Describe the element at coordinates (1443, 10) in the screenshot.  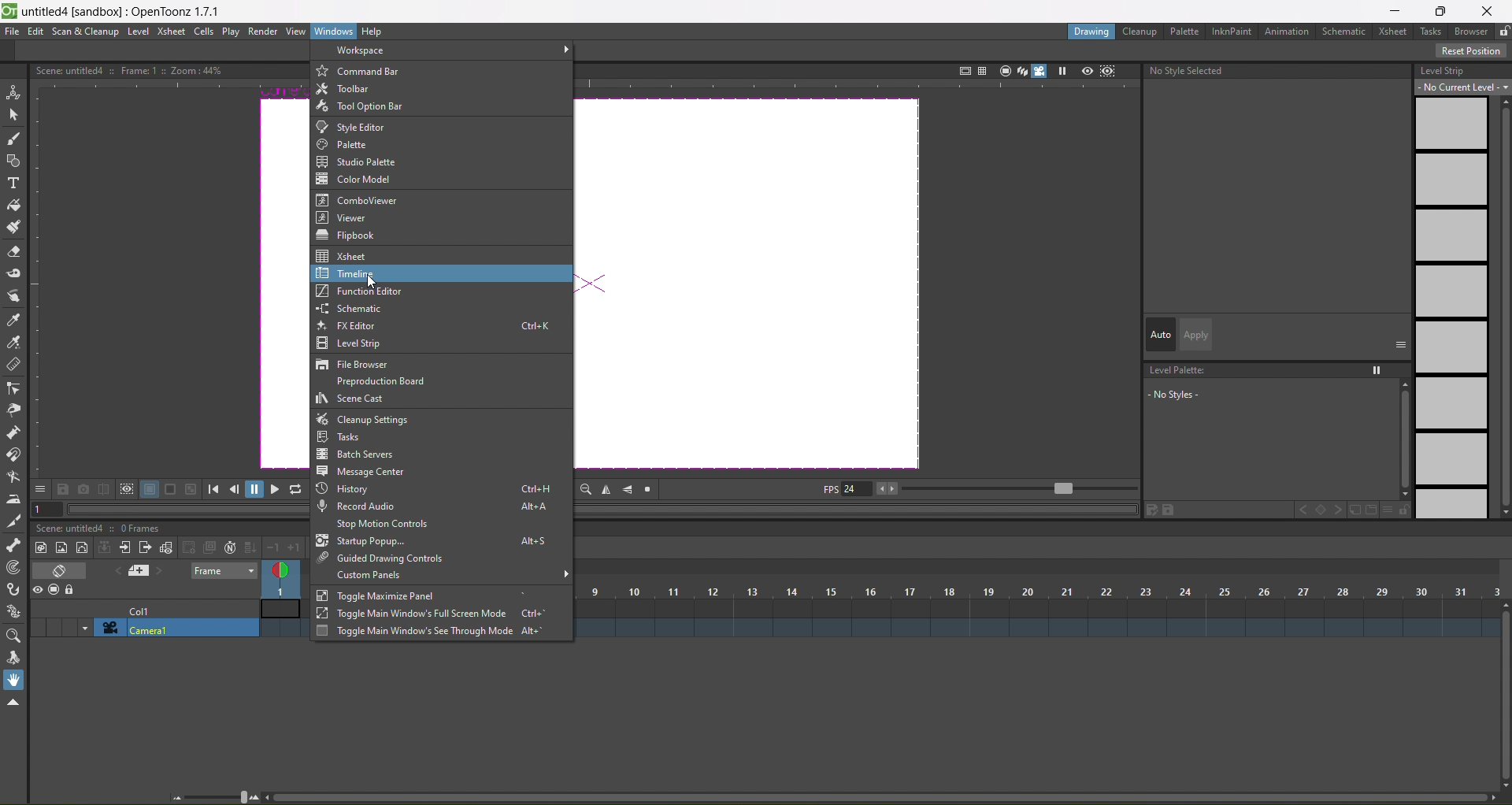
I see `maximize` at that location.